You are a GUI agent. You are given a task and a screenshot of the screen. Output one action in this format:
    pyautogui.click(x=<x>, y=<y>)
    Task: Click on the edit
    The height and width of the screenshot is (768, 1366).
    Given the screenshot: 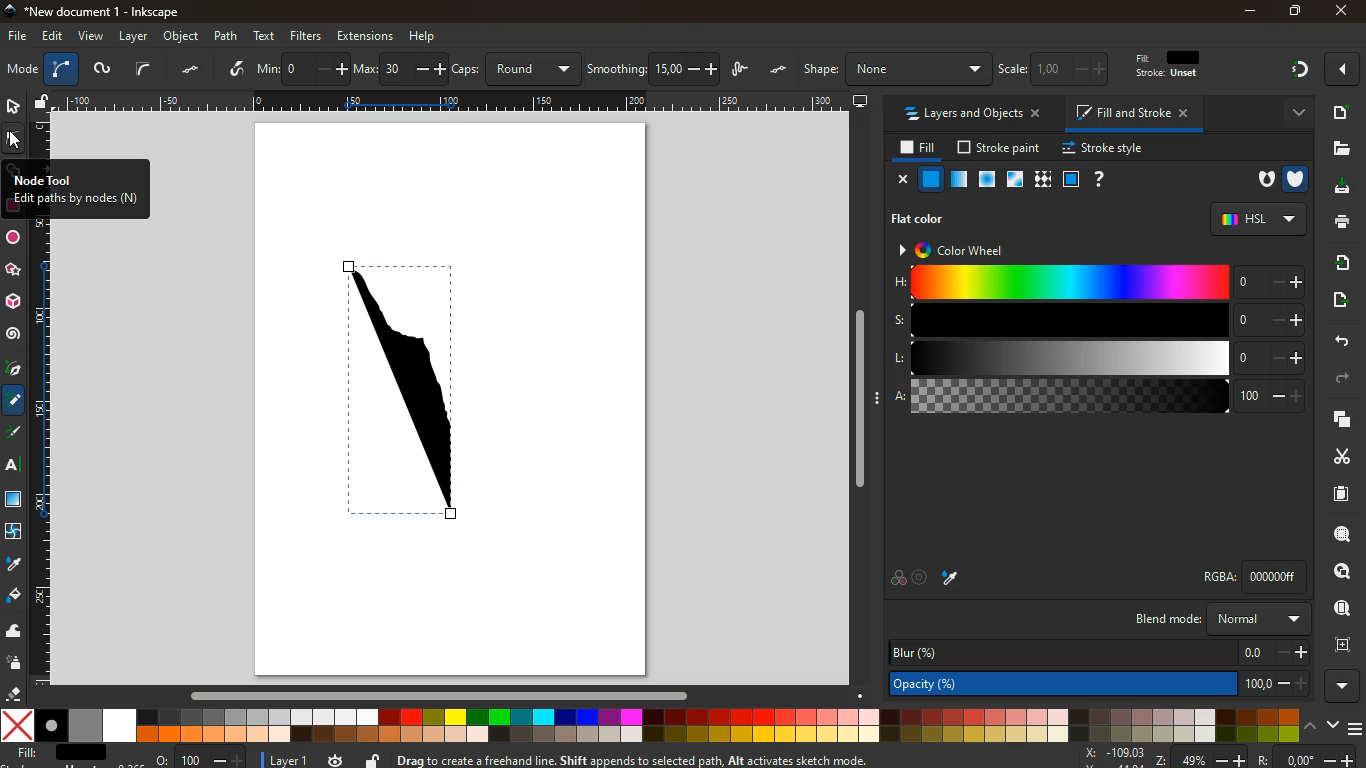 What is the action you would take?
    pyautogui.click(x=1163, y=69)
    